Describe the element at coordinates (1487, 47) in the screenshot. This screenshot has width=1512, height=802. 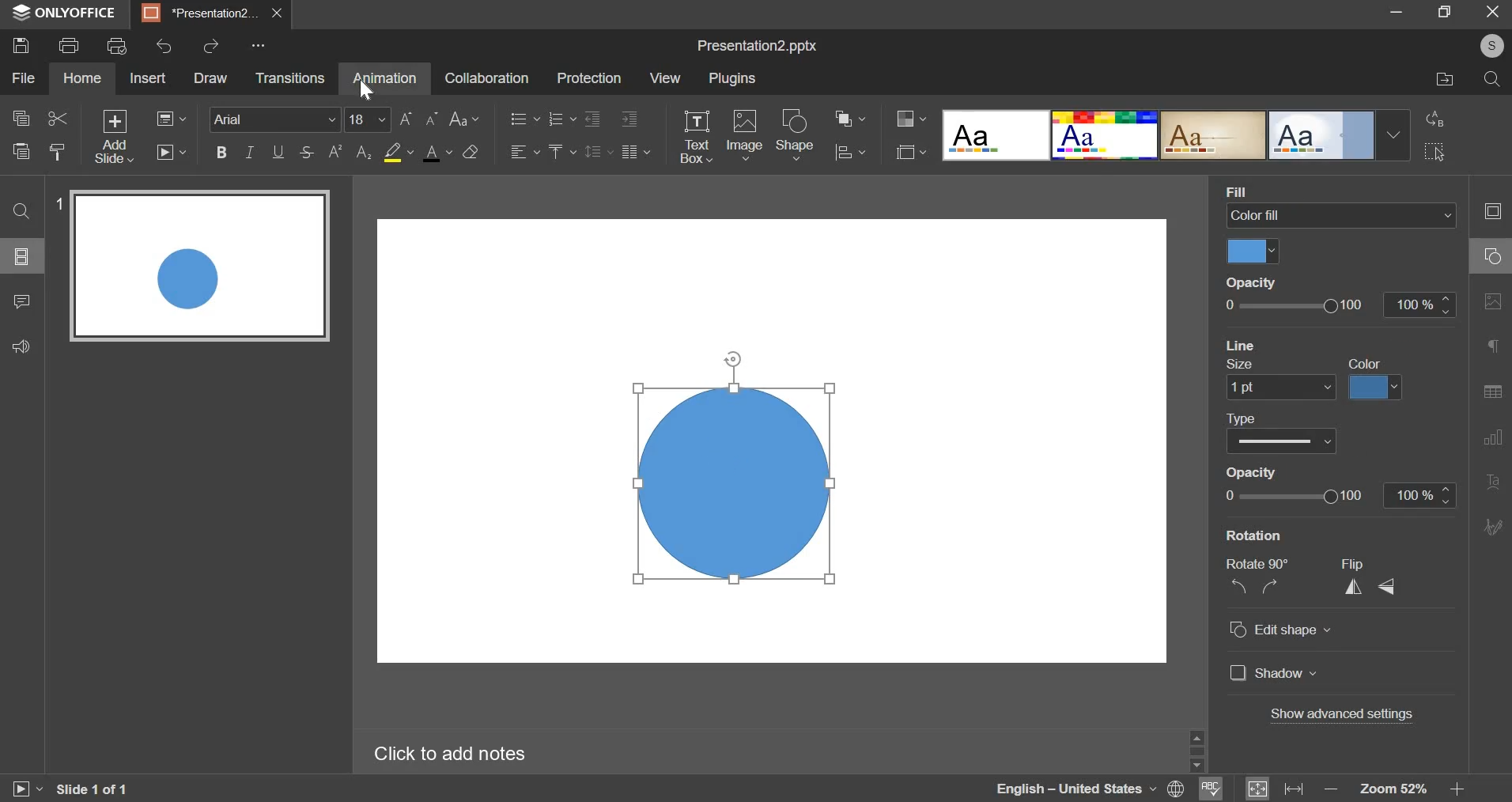
I see `©` at that location.